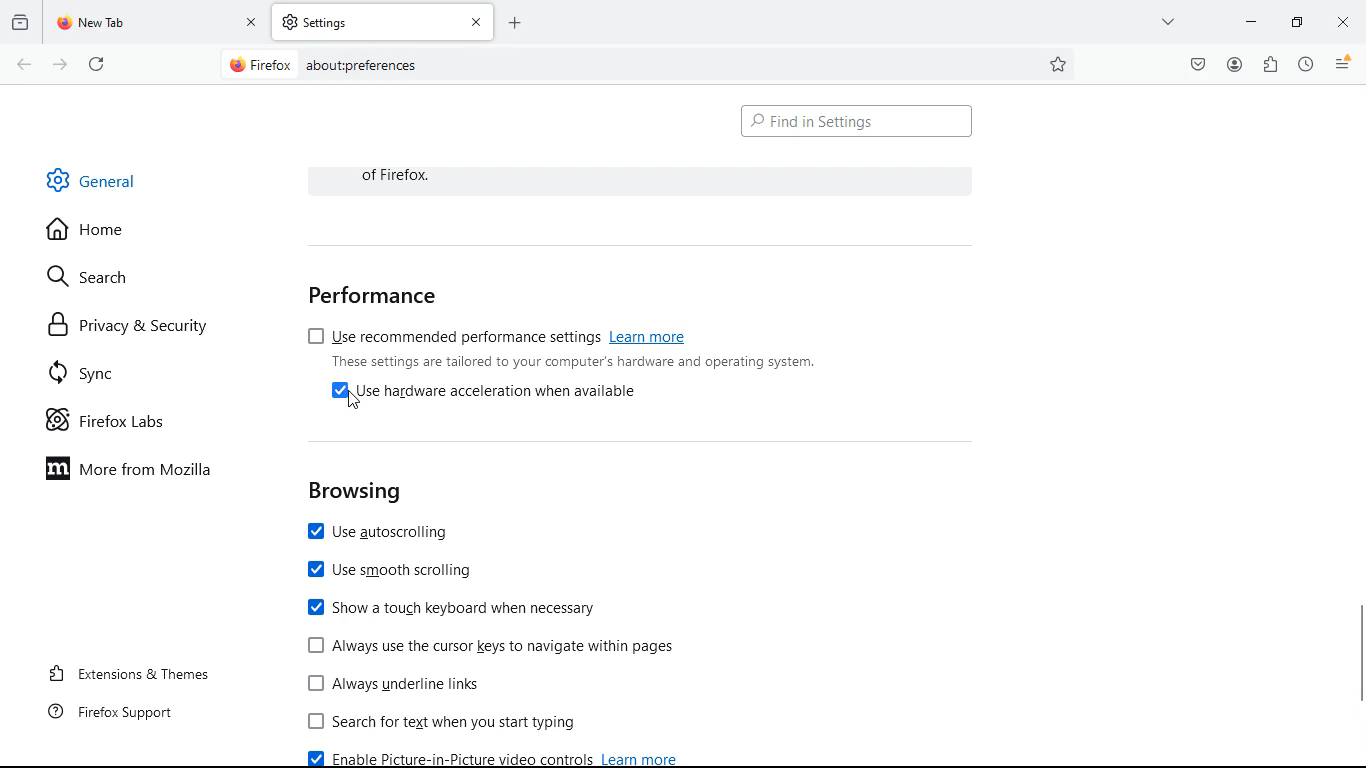 This screenshot has height=768, width=1366. What do you see at coordinates (1269, 66) in the screenshot?
I see `extensions` at bounding box center [1269, 66].